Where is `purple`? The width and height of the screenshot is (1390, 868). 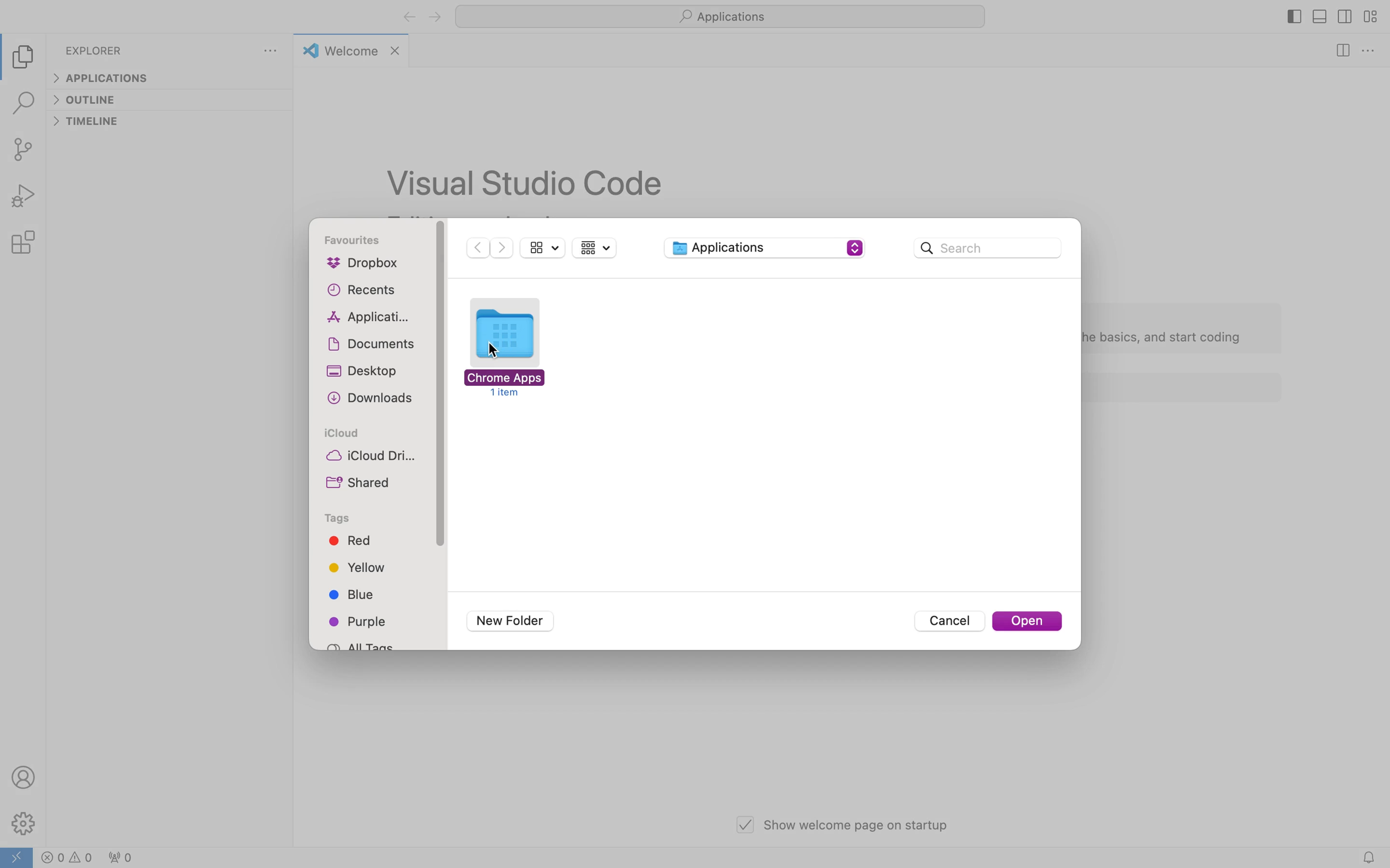 purple is located at coordinates (362, 622).